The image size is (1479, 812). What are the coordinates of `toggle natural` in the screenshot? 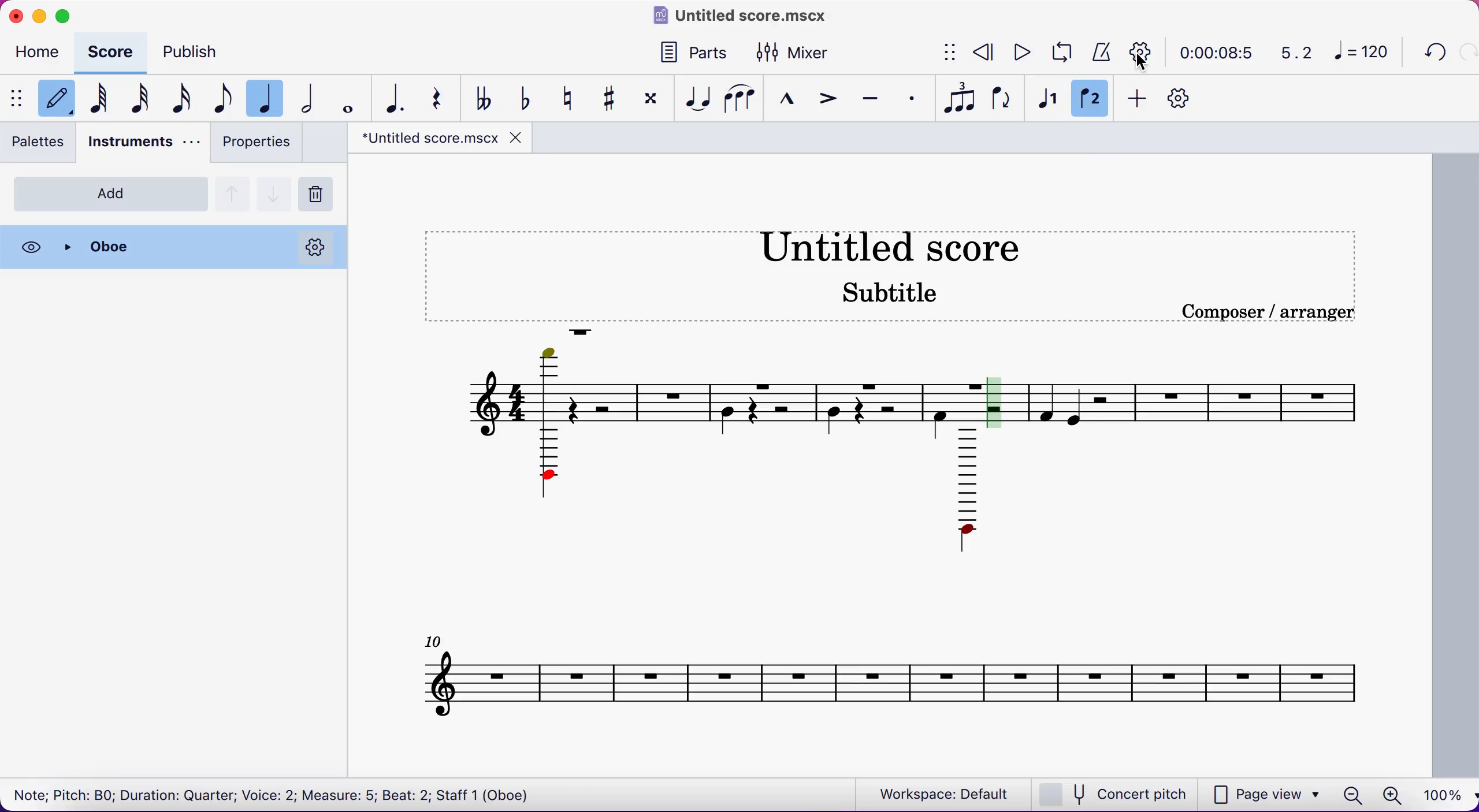 It's located at (572, 99).